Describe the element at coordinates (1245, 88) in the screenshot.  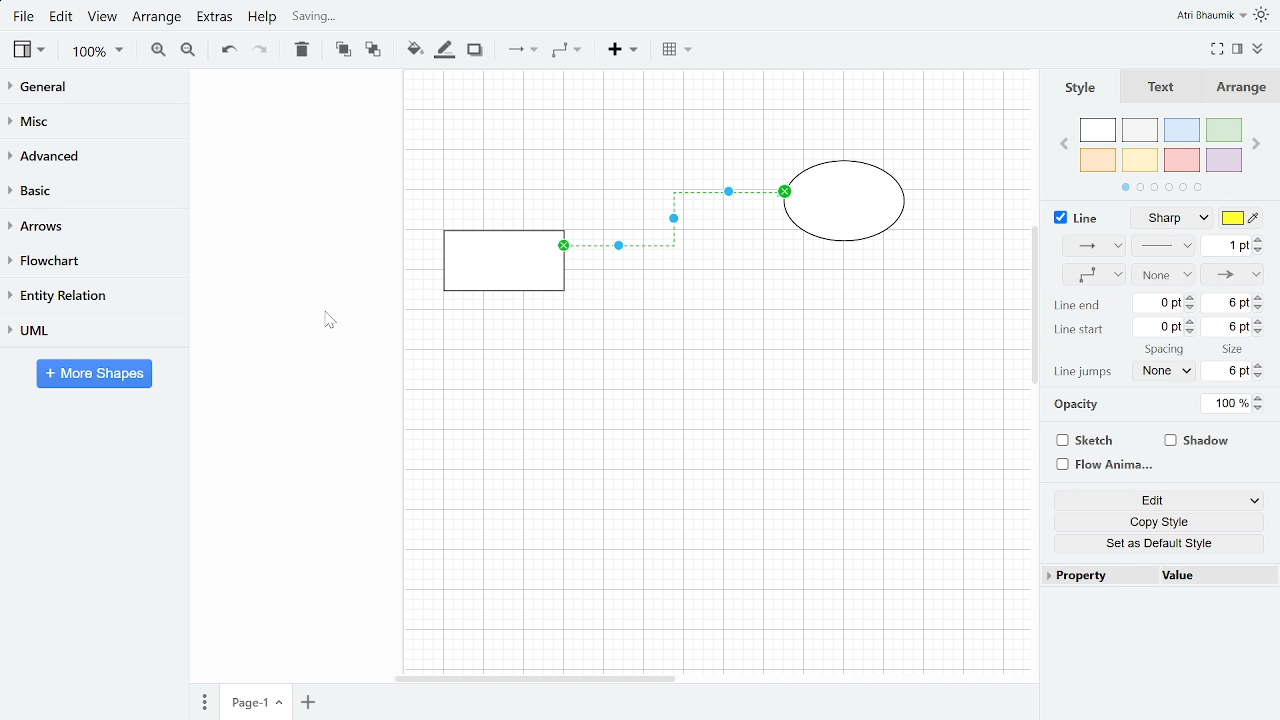
I see `Arrange` at that location.